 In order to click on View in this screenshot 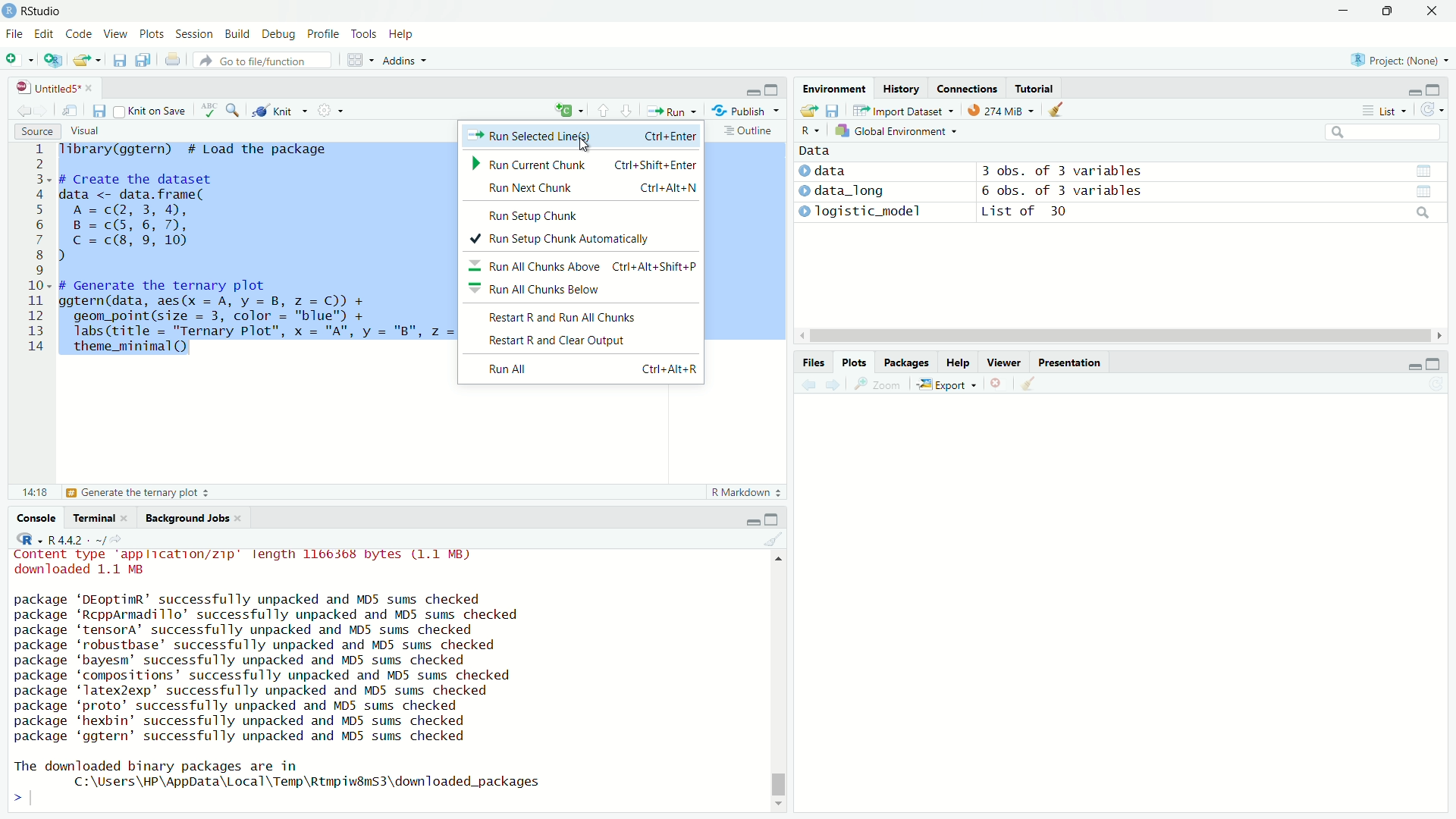, I will do `click(111, 35)`.